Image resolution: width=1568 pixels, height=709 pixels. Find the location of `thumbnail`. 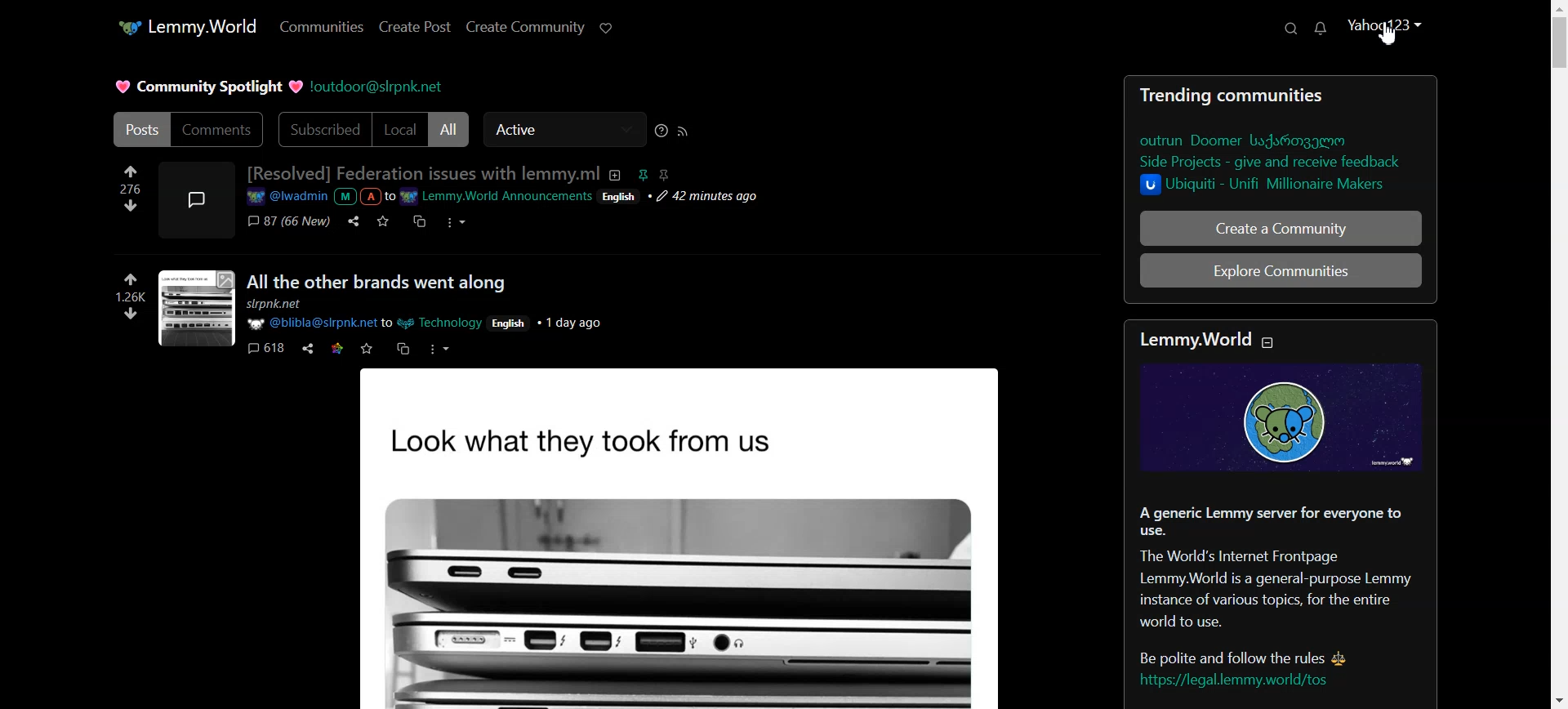

thumbnail is located at coordinates (196, 198).